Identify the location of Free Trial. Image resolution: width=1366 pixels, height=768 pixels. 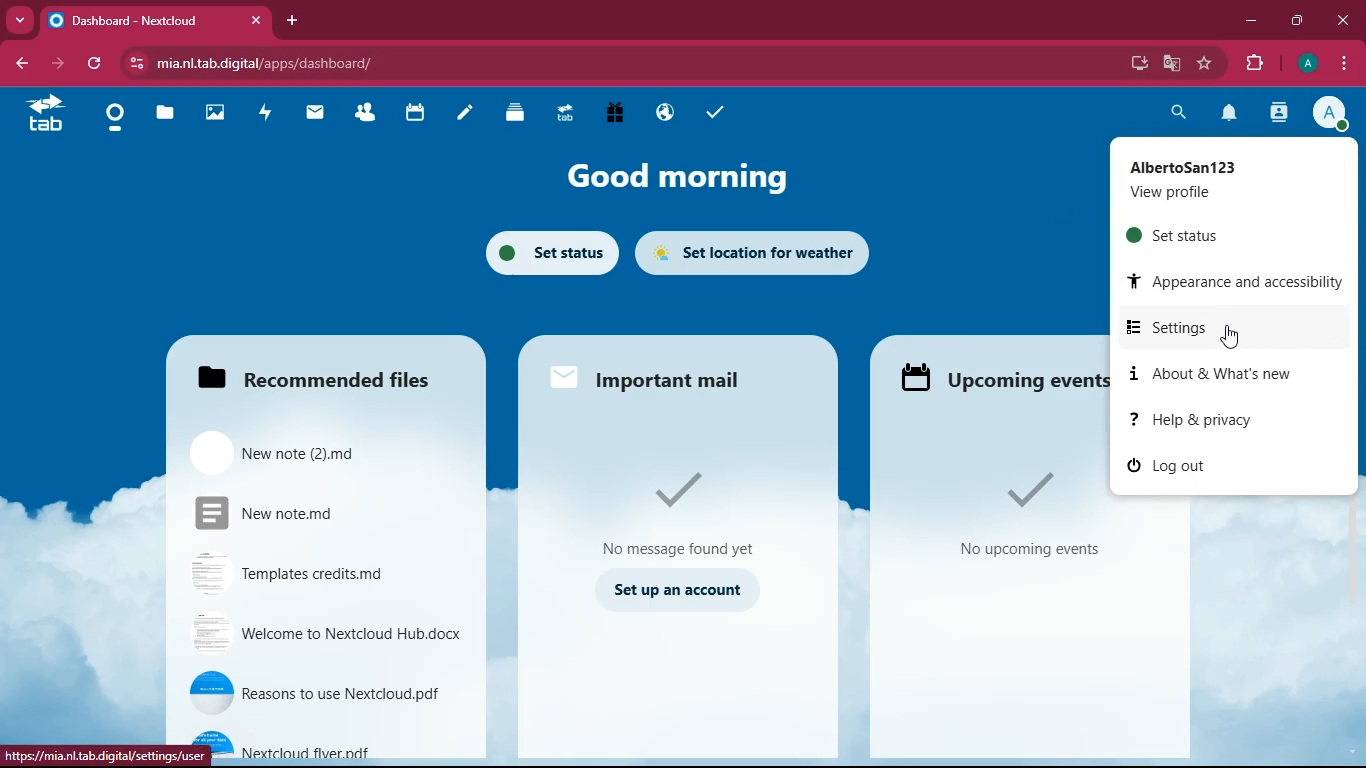
(613, 114).